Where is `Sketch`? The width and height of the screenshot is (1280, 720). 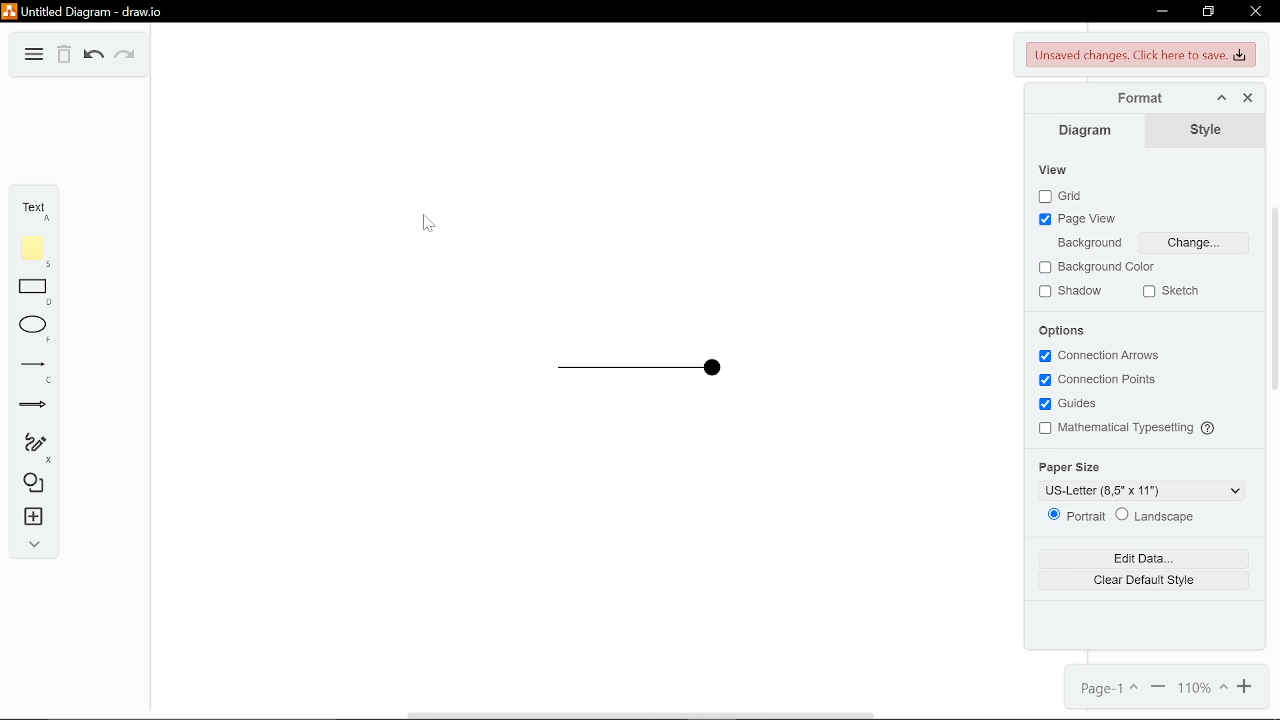
Sketch is located at coordinates (1170, 292).